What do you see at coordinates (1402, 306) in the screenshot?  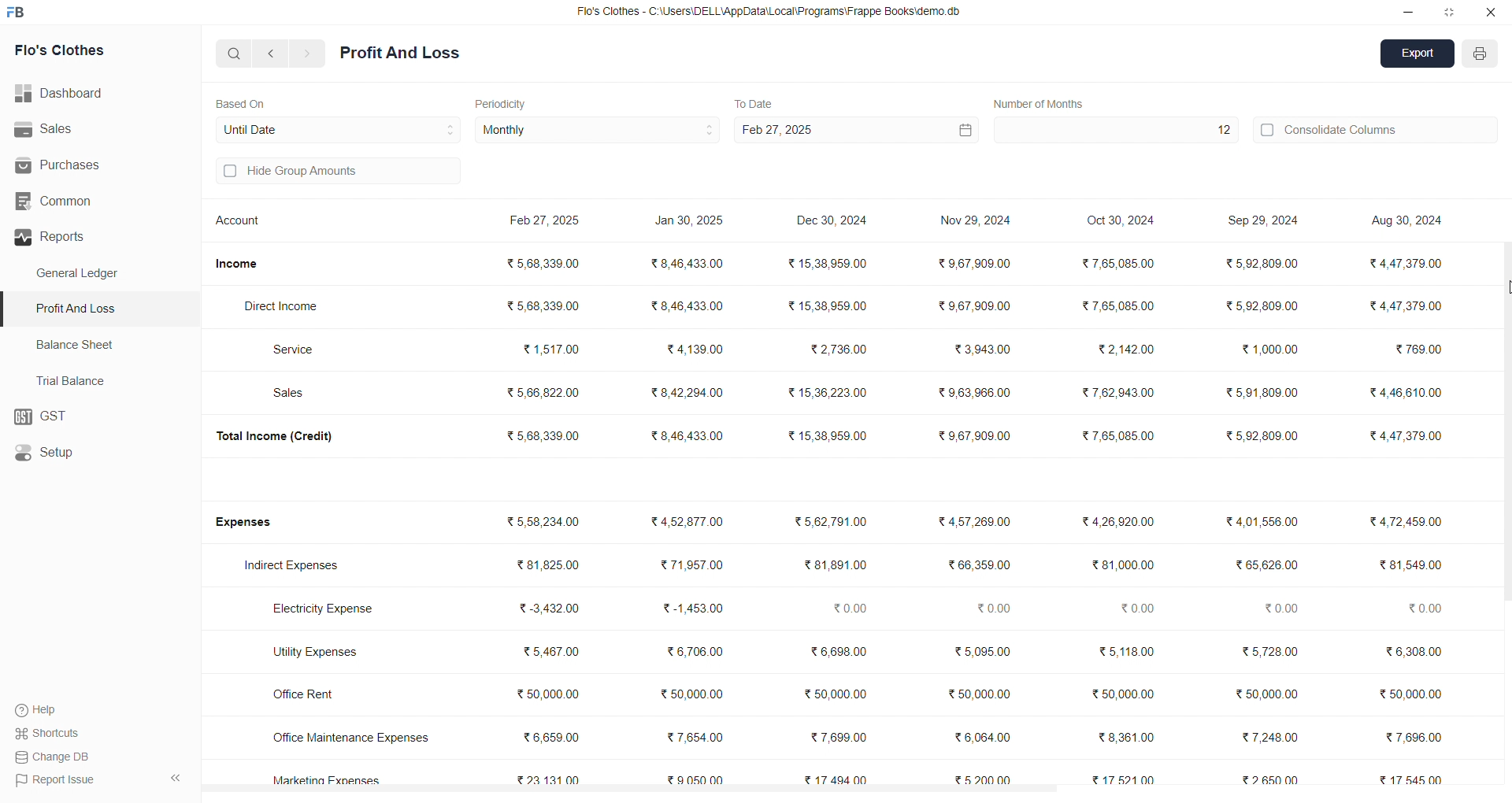 I see `₹ 4,47,379.00` at bounding box center [1402, 306].